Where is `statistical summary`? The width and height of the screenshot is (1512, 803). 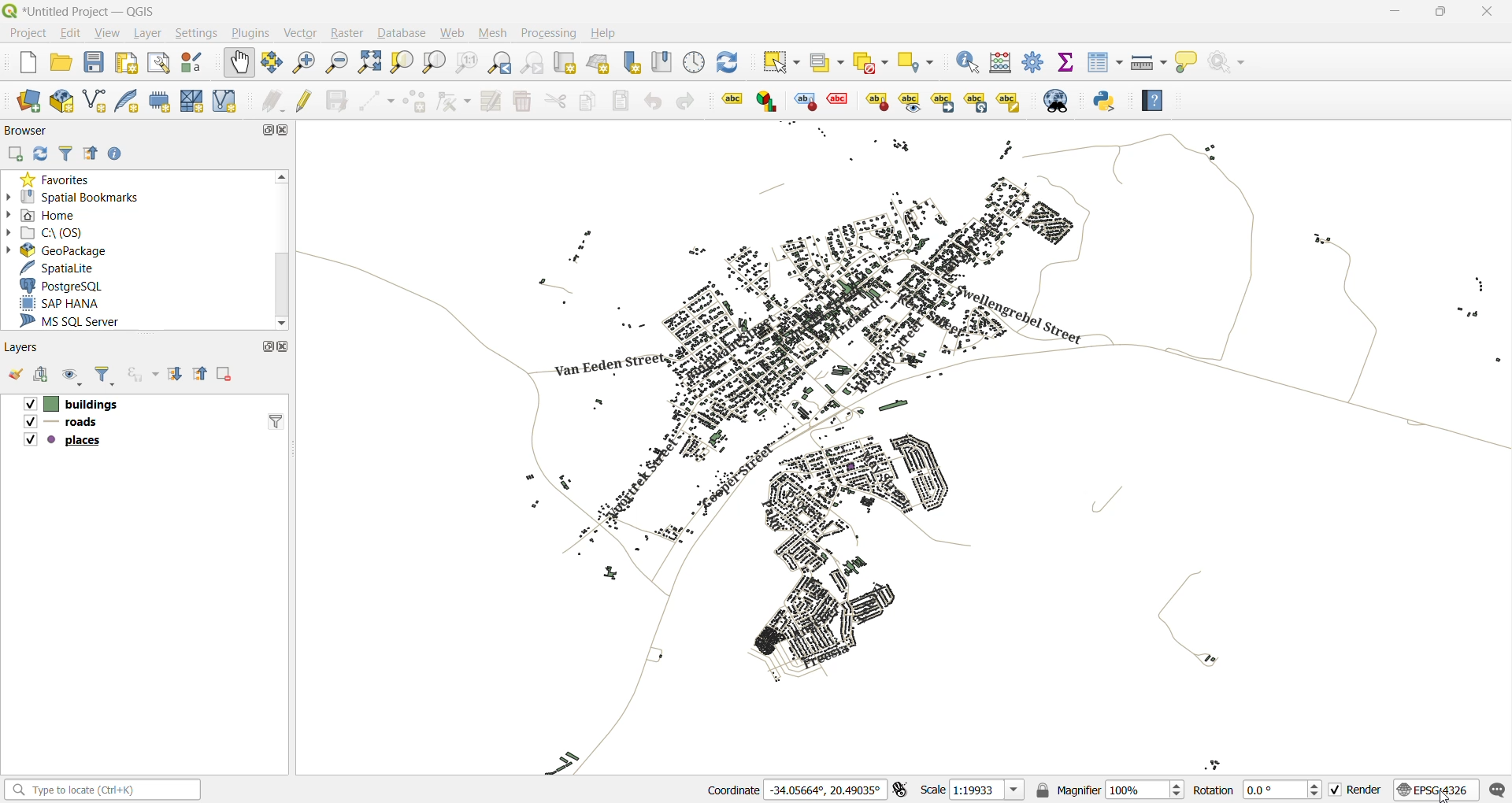 statistical summary is located at coordinates (1065, 63).